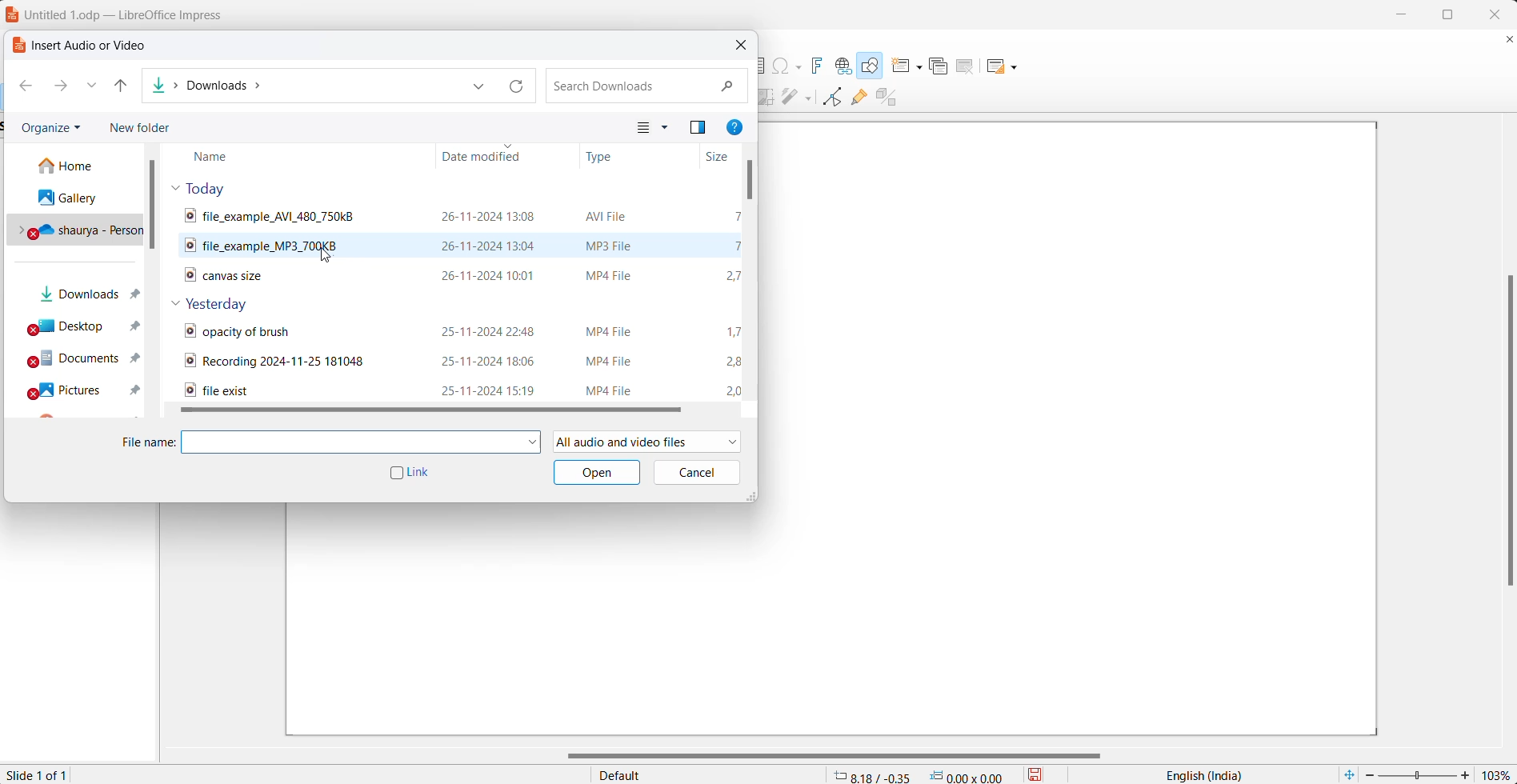 The width and height of the screenshot is (1517, 784). What do you see at coordinates (151, 129) in the screenshot?
I see `new folder` at bounding box center [151, 129].